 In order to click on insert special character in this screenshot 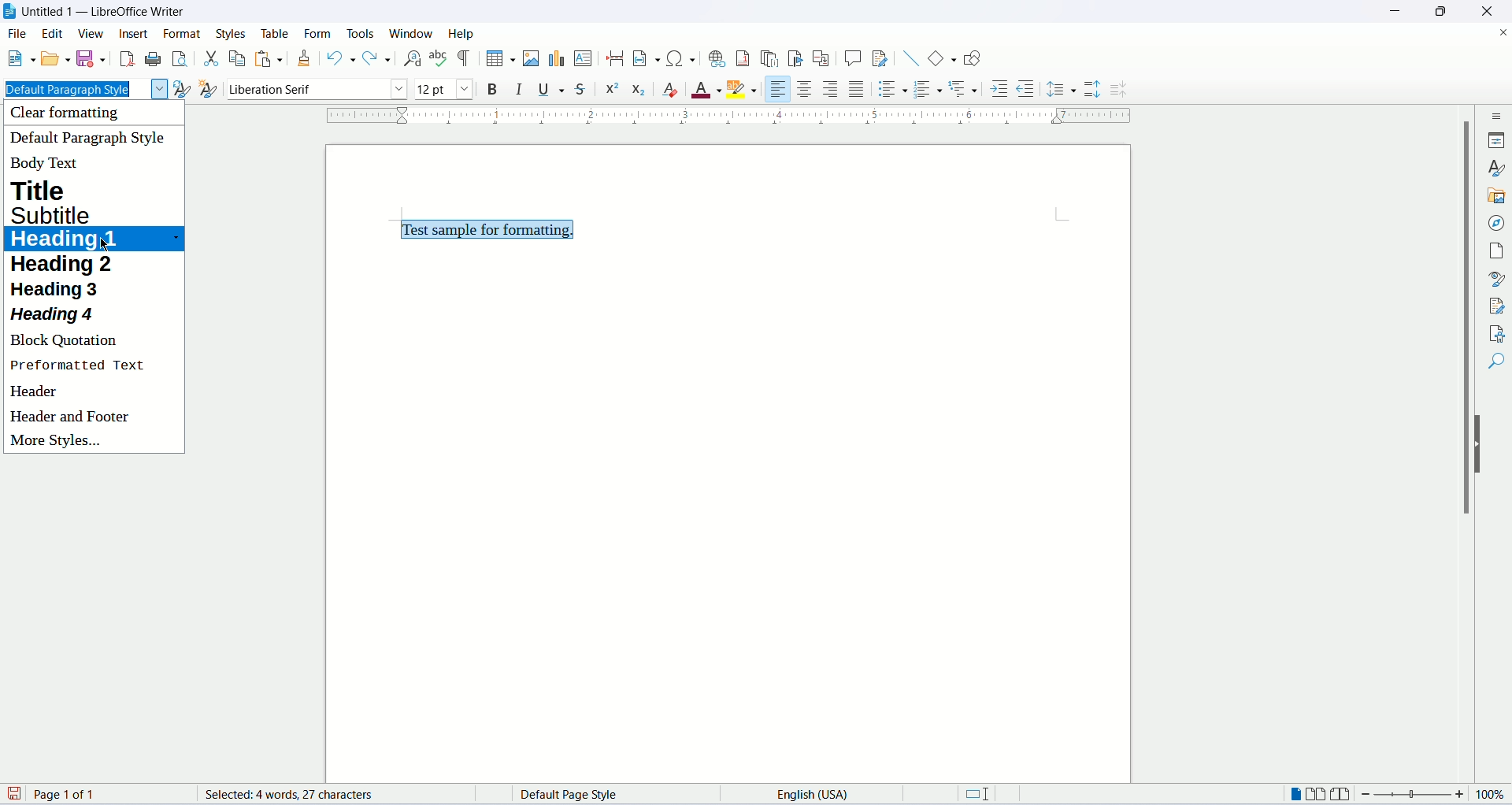, I will do `click(678, 58)`.